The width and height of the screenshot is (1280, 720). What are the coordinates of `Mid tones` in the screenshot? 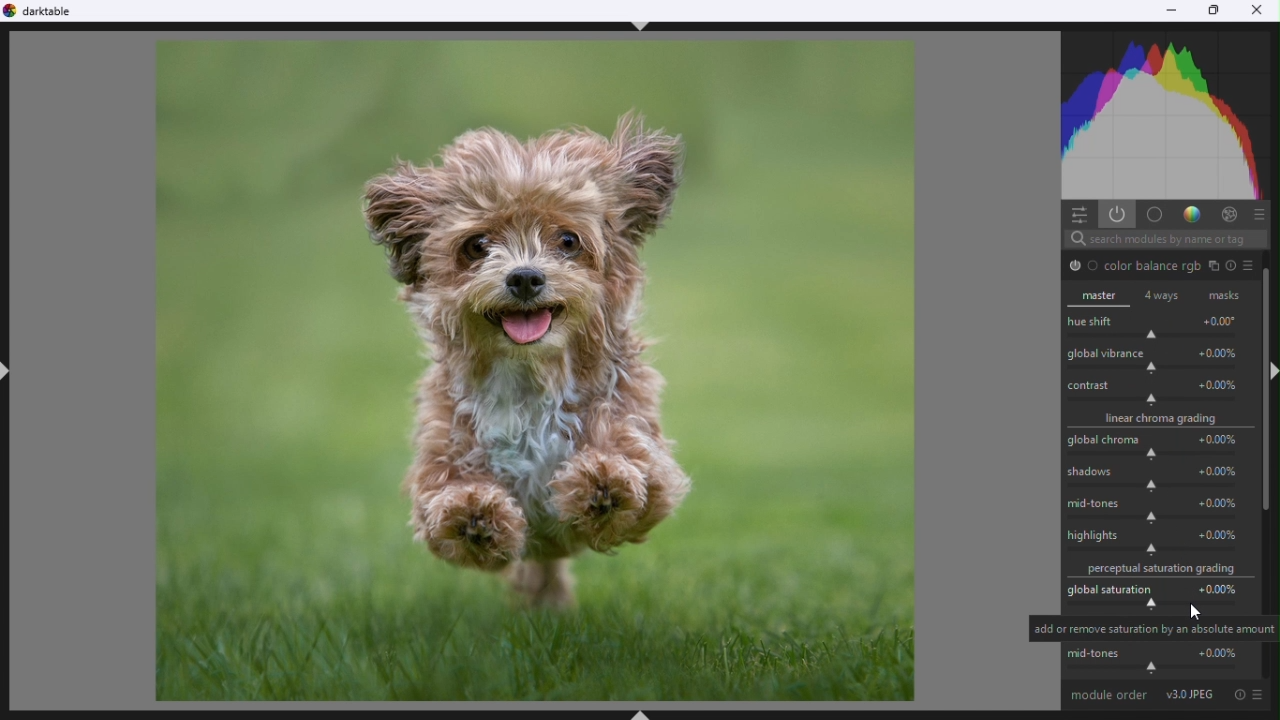 It's located at (1162, 662).